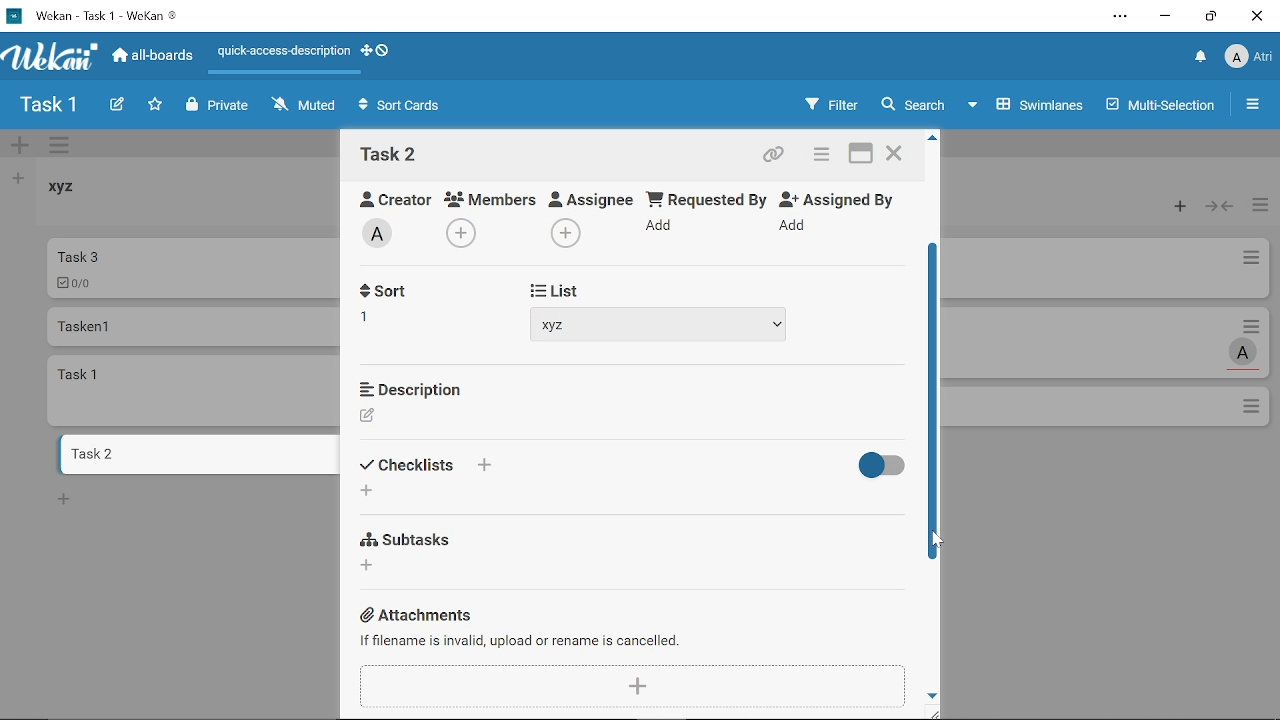  What do you see at coordinates (877, 466) in the screenshot?
I see `On/Off` at bounding box center [877, 466].